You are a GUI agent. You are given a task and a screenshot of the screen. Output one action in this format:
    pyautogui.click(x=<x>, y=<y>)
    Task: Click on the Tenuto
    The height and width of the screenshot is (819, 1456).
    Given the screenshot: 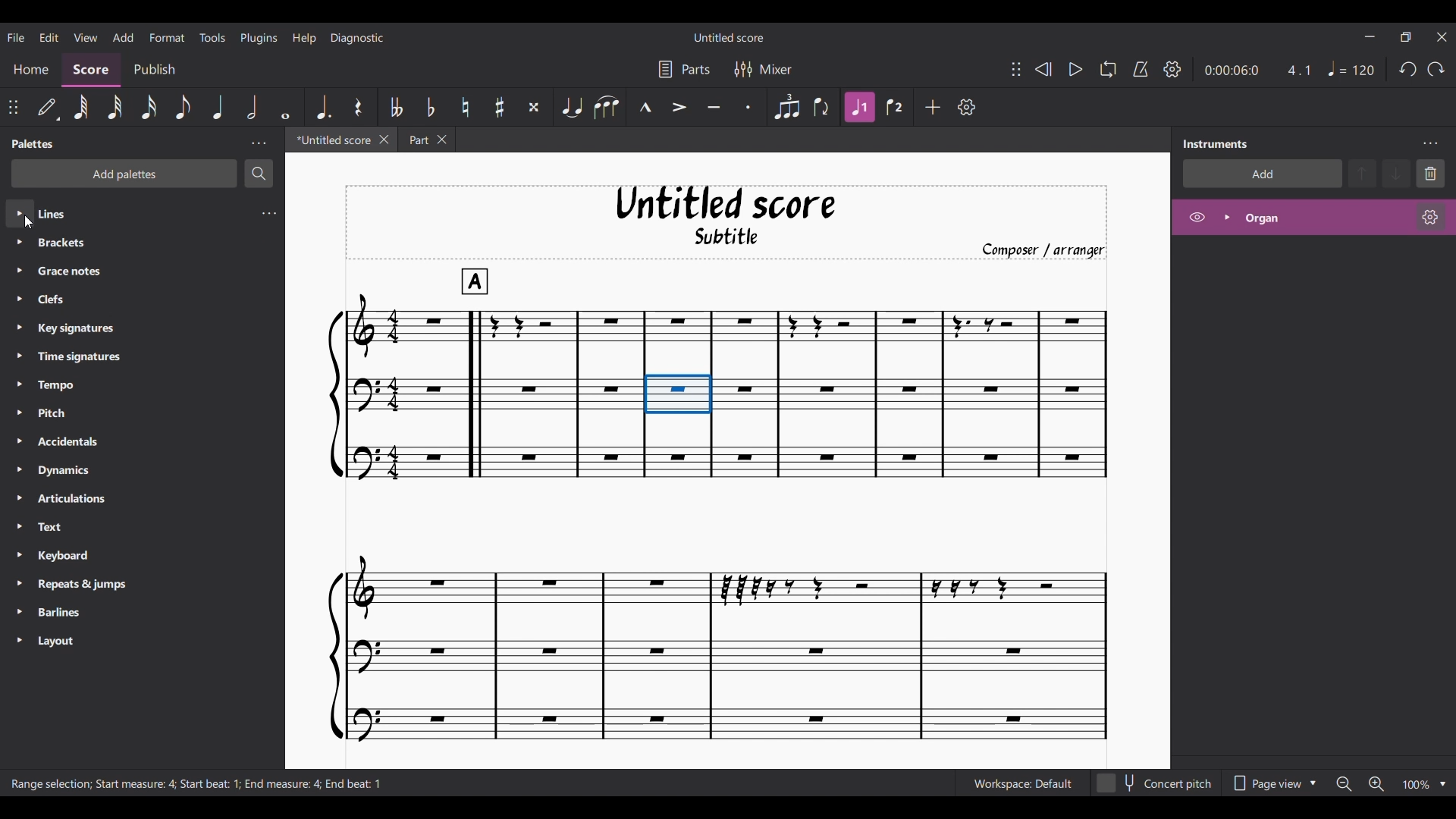 What is the action you would take?
    pyautogui.click(x=714, y=108)
    